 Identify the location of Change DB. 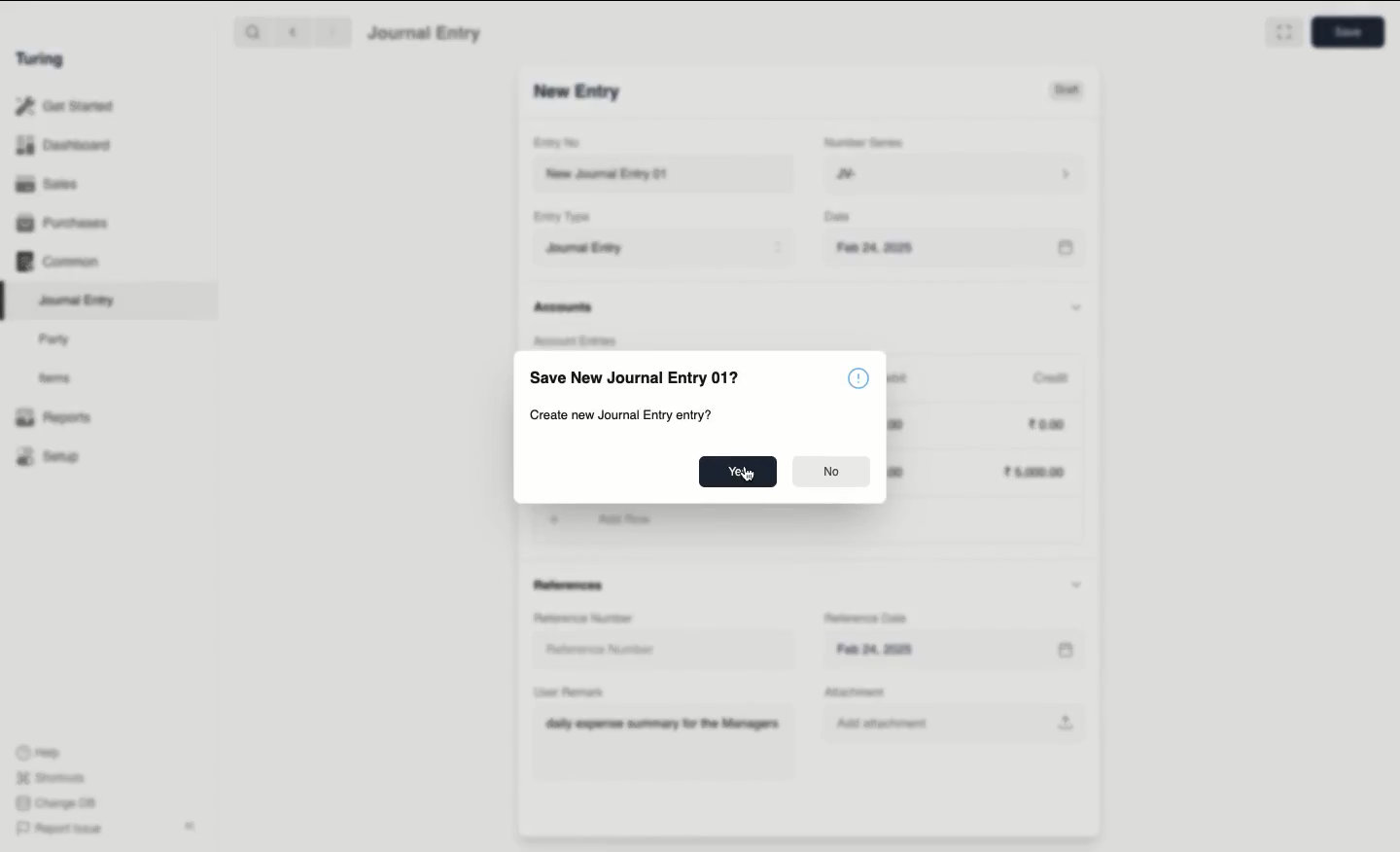
(55, 803).